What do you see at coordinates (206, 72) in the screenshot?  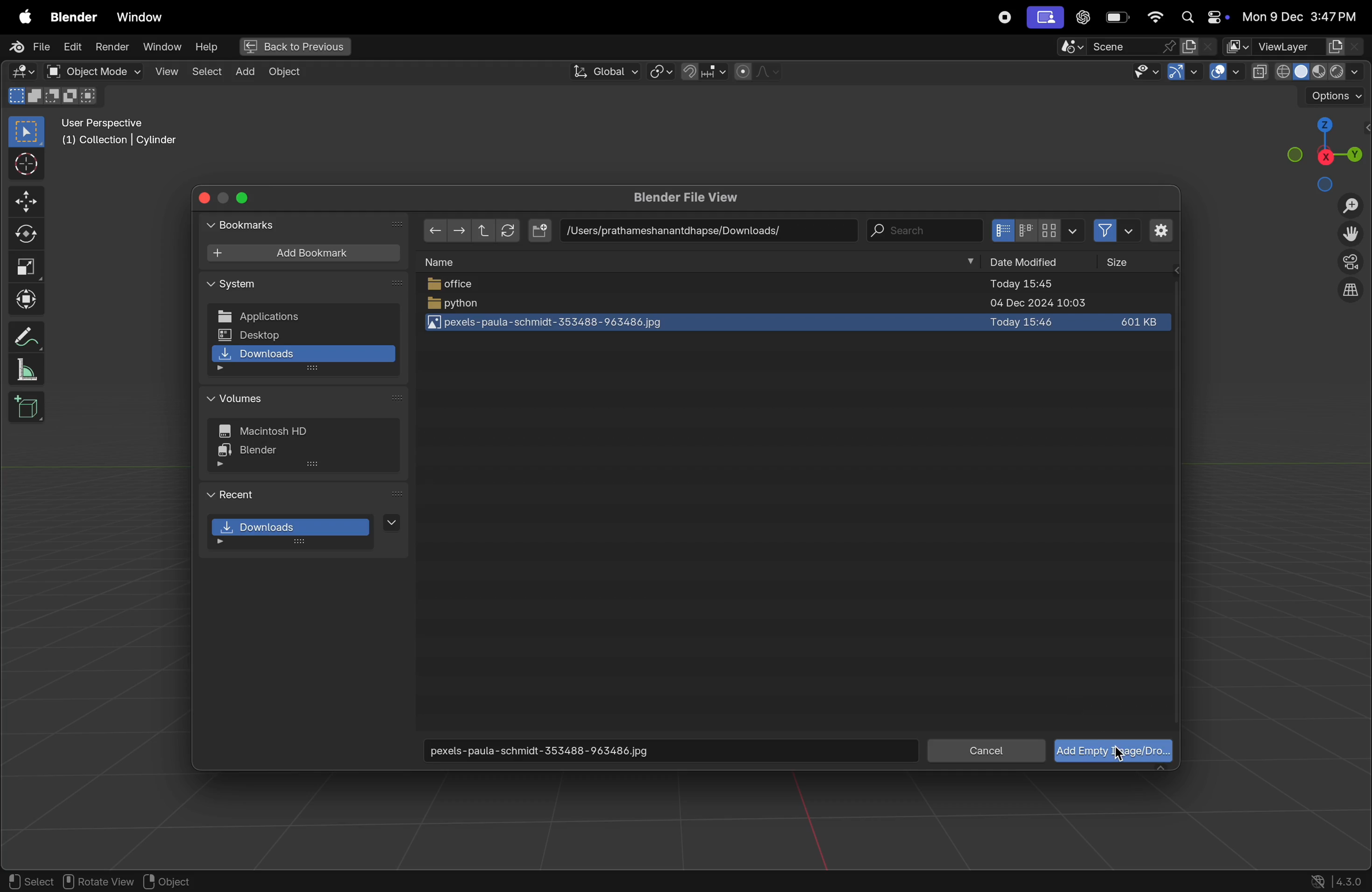 I see `select` at bounding box center [206, 72].